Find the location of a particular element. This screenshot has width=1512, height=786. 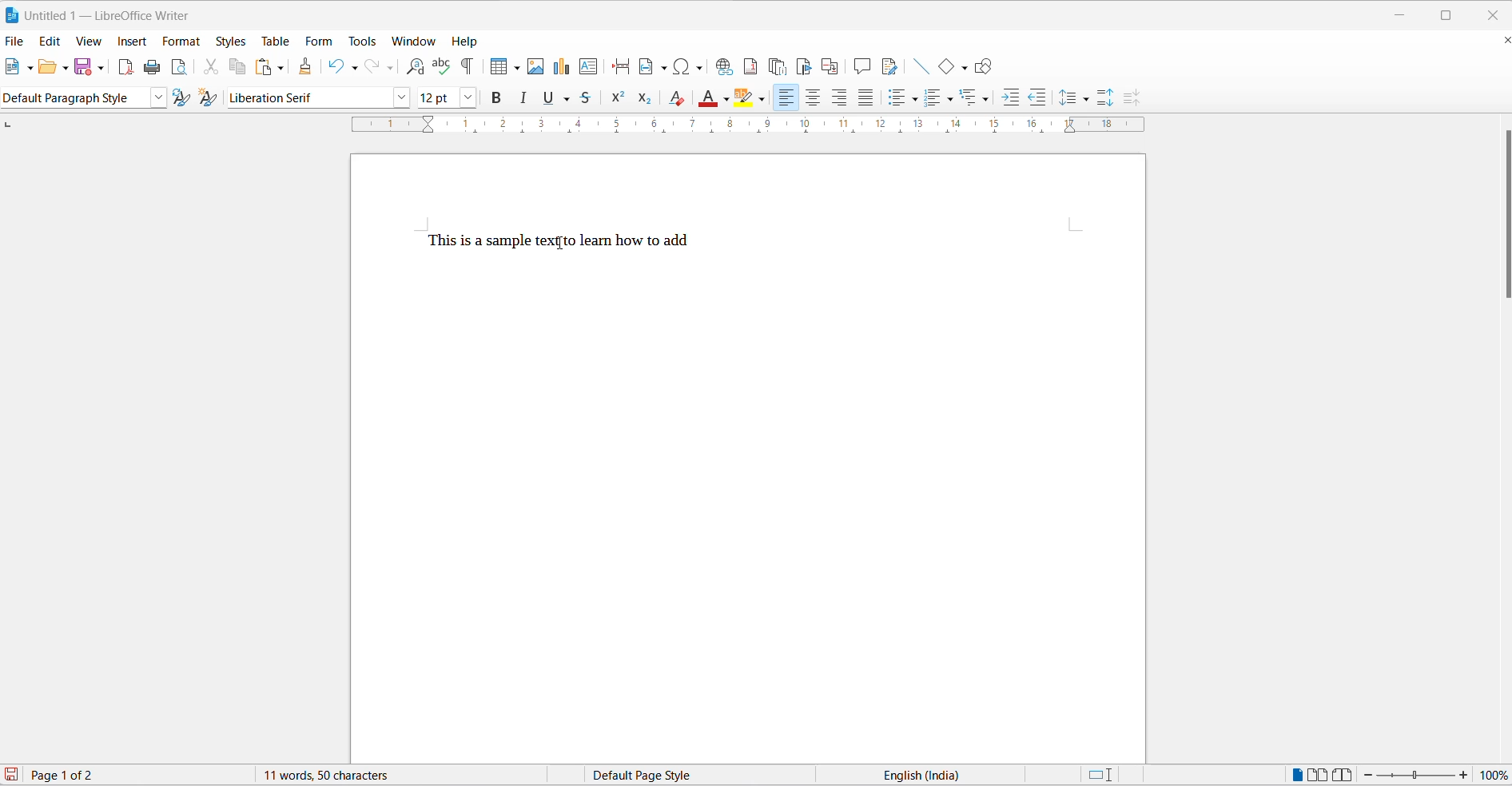

new file options is located at coordinates (30, 69).